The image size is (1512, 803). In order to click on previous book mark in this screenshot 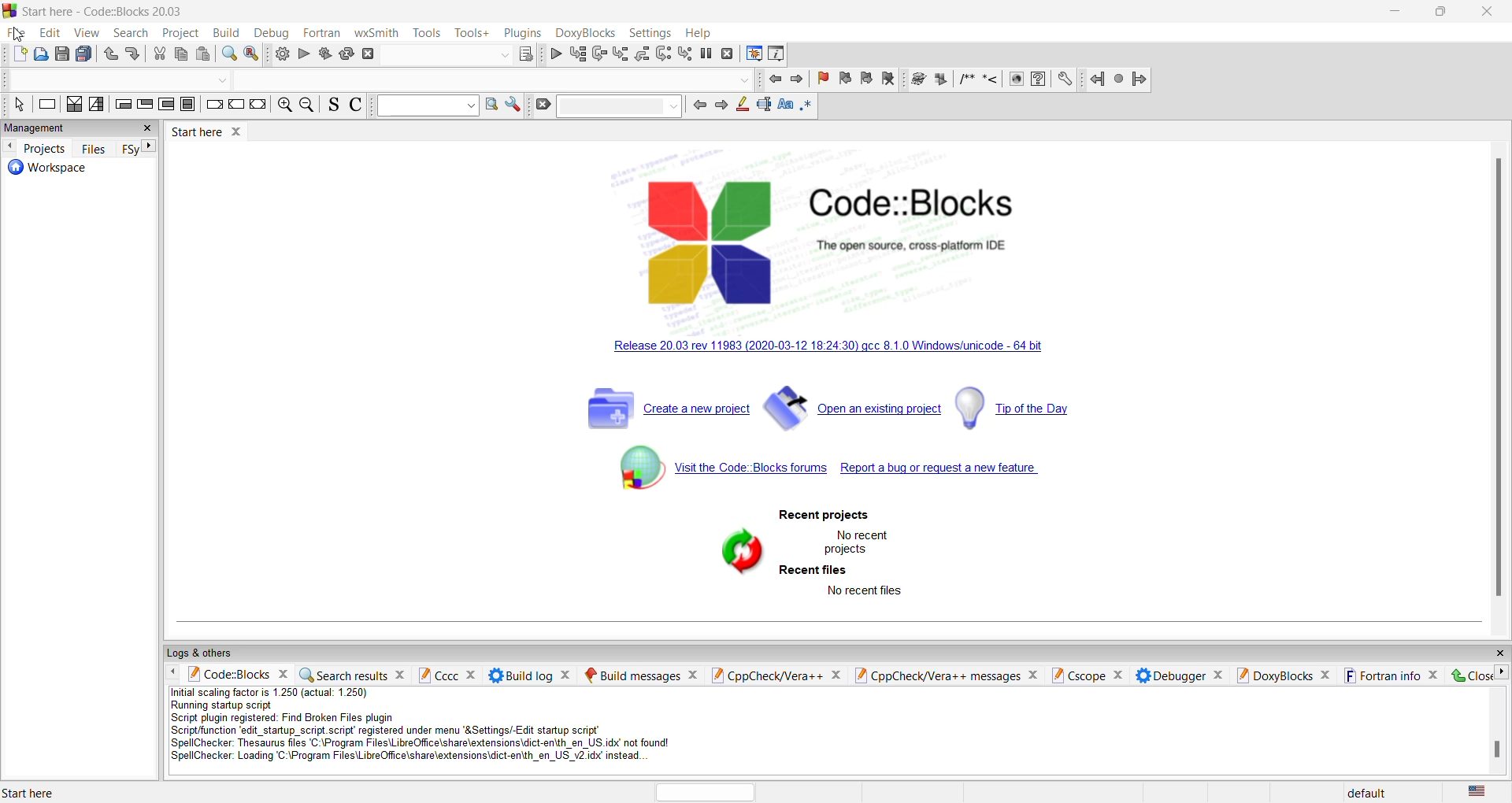, I will do `click(843, 78)`.